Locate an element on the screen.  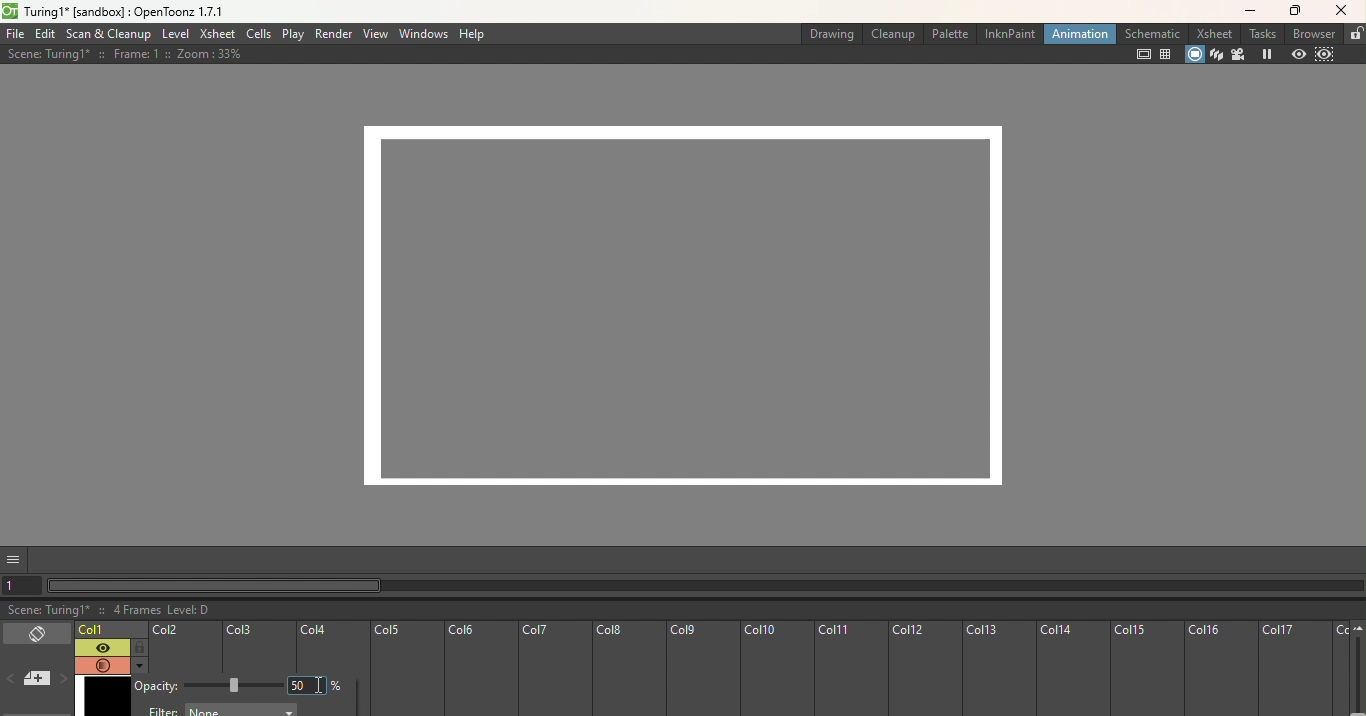
Col10 is located at coordinates (775, 670).